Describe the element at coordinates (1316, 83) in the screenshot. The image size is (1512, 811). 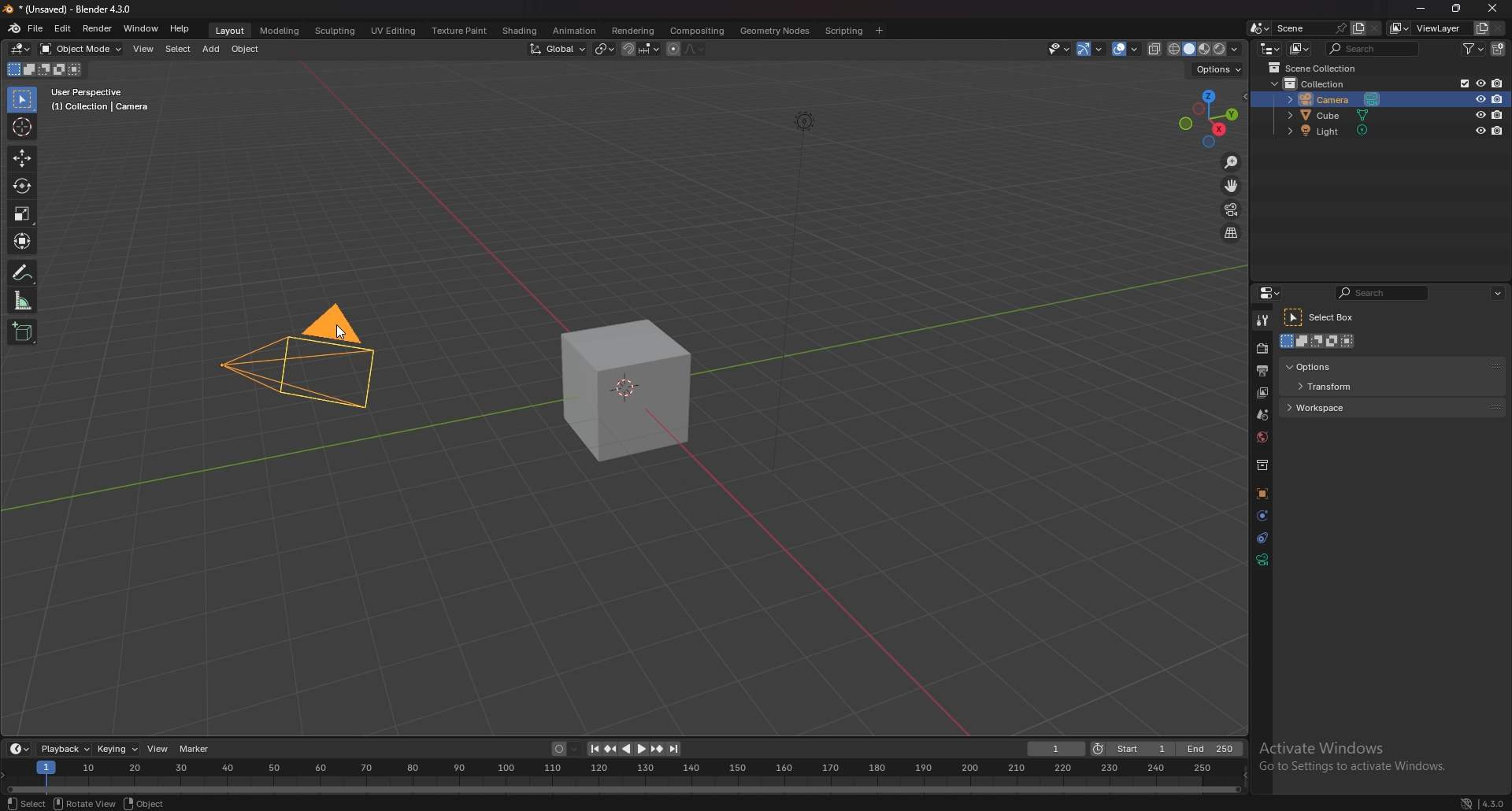
I see `collection` at that location.